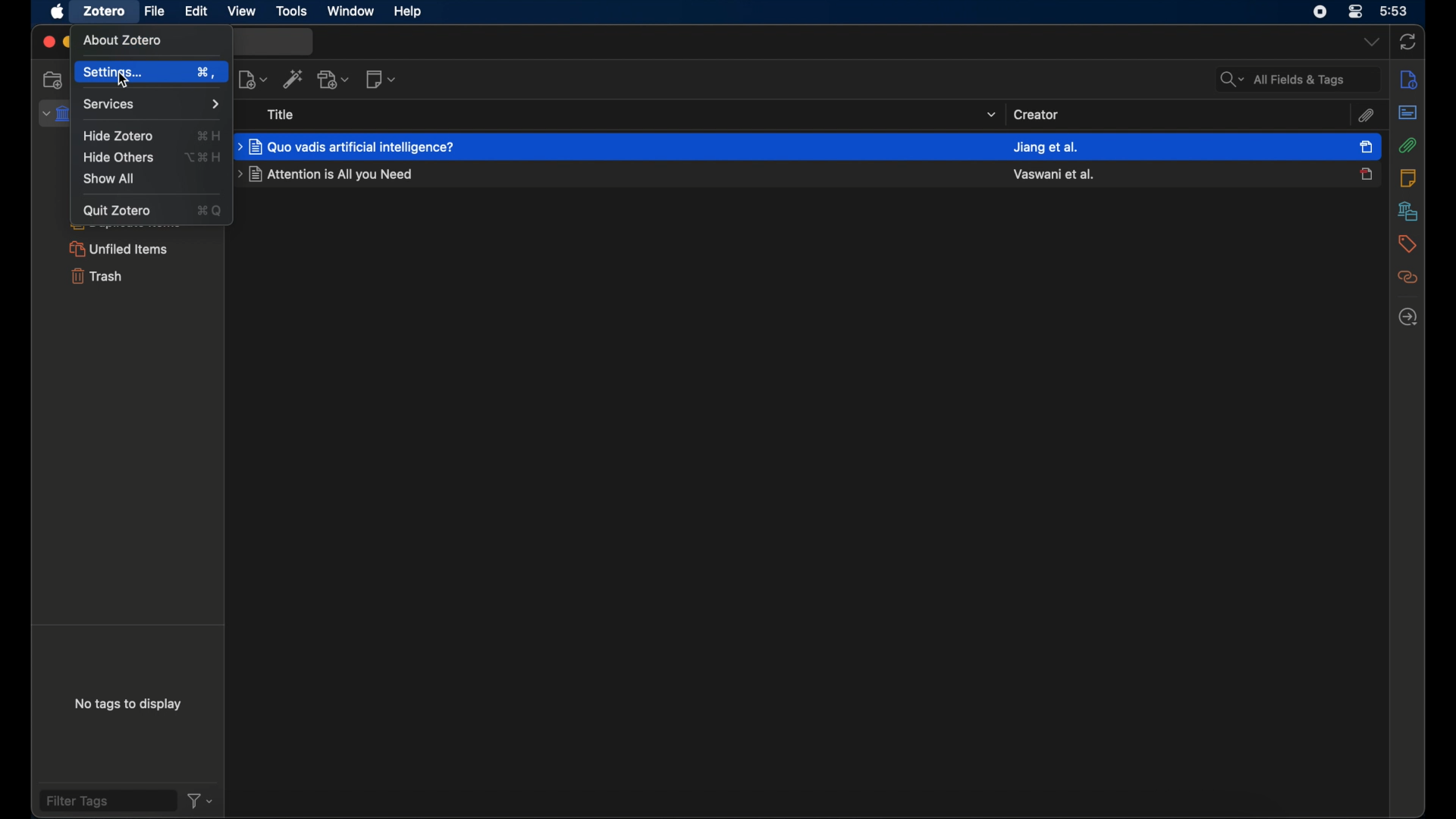 This screenshot has height=819, width=1456. What do you see at coordinates (118, 136) in the screenshot?
I see `hide zotero` at bounding box center [118, 136].